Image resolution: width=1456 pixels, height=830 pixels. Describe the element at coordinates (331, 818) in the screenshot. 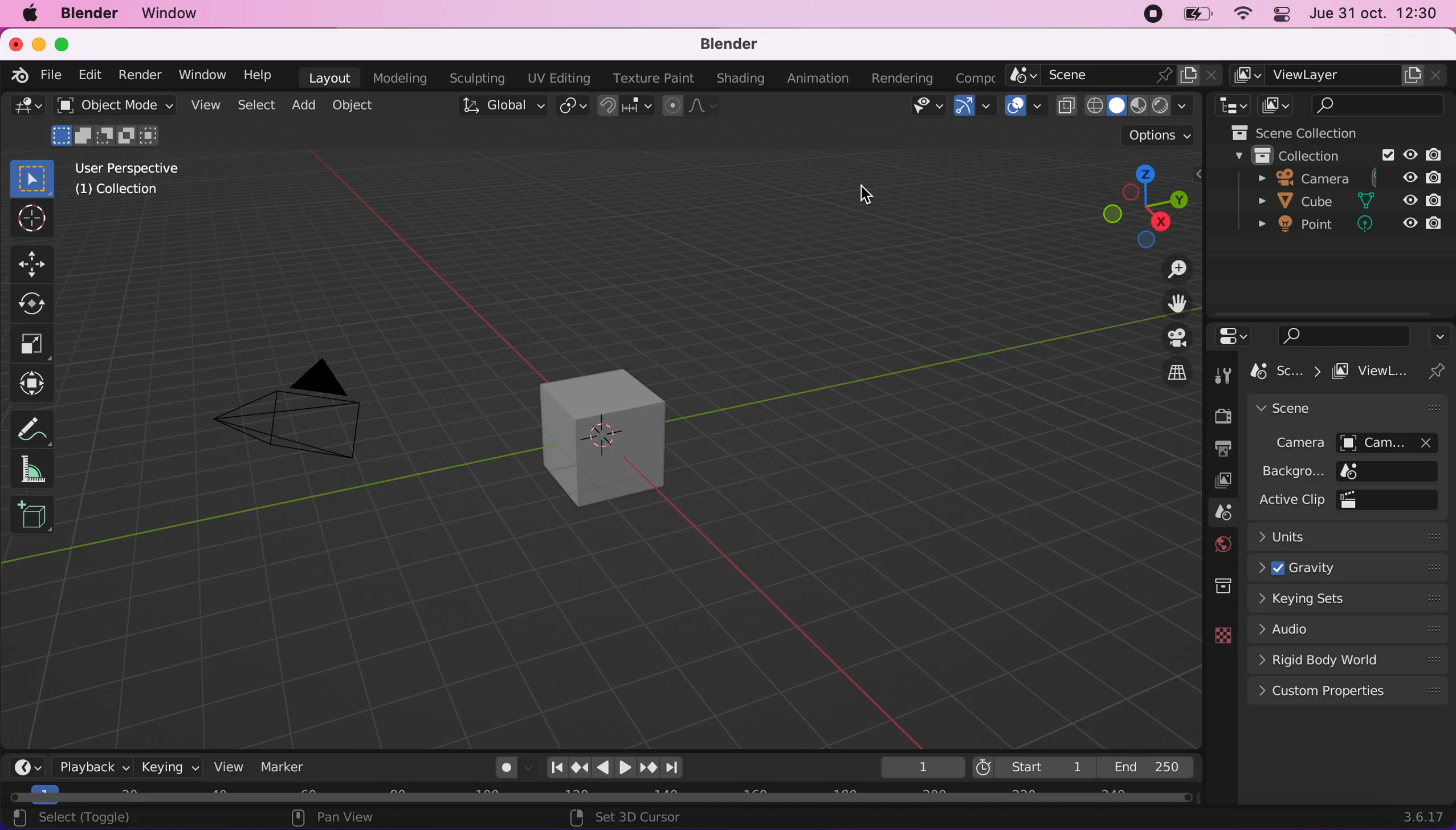

I see `pan view` at that location.